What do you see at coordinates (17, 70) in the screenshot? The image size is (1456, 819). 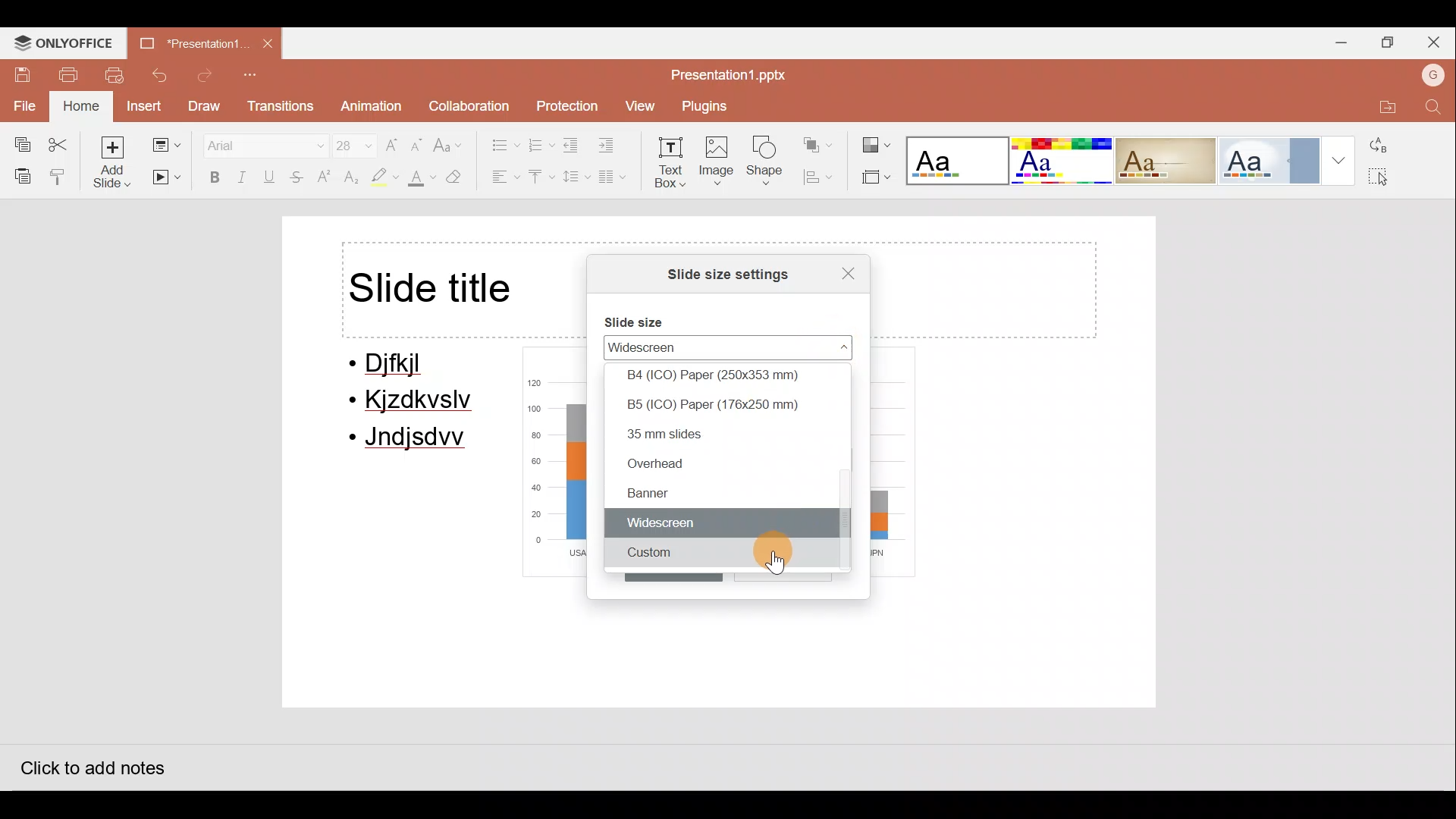 I see `Save` at bounding box center [17, 70].